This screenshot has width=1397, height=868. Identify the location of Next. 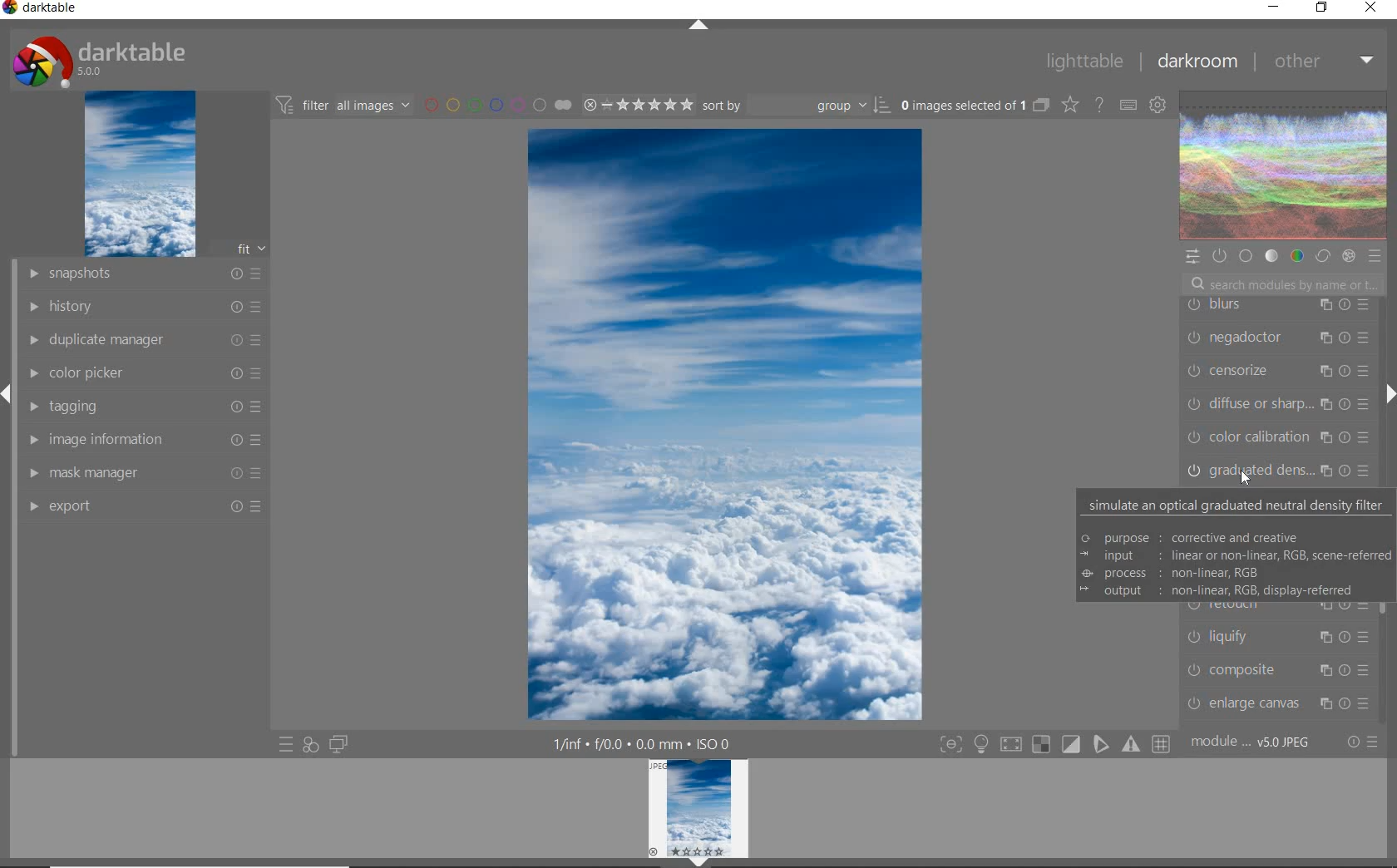
(1389, 394).